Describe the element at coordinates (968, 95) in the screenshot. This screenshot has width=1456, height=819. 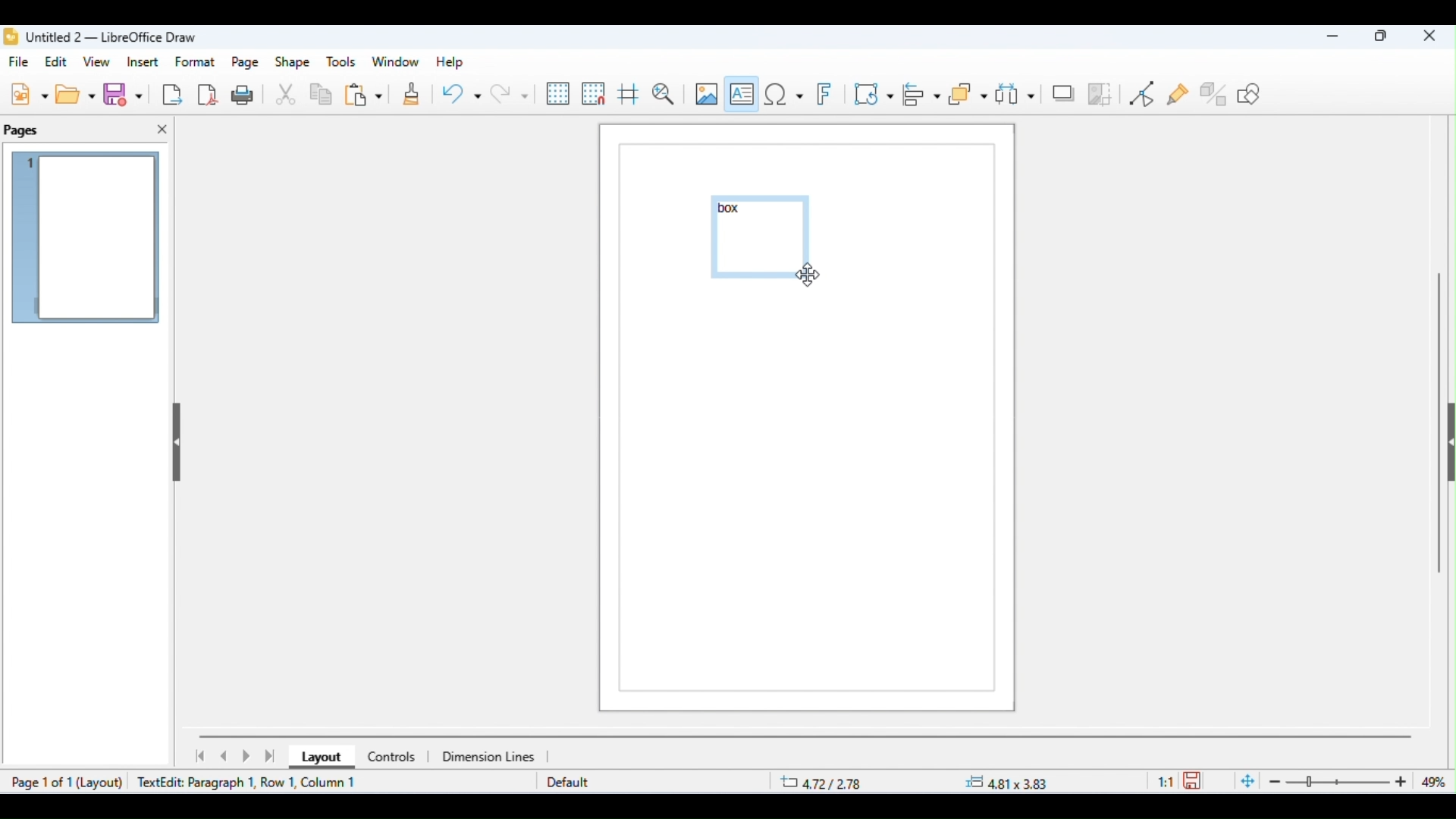
I see `arrange` at that location.